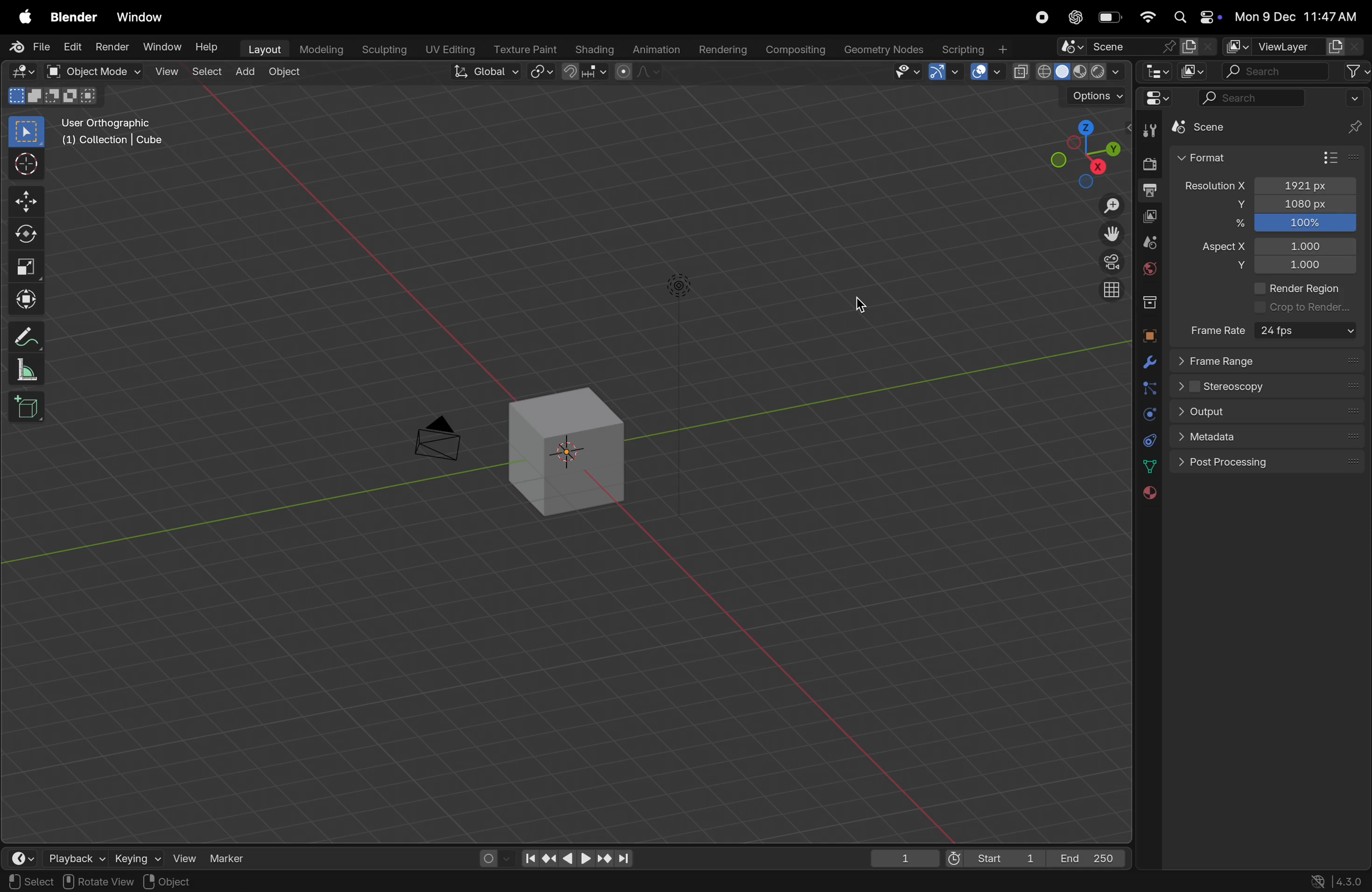 The width and height of the screenshot is (1372, 892). Describe the element at coordinates (24, 162) in the screenshot. I see `cursor` at that location.